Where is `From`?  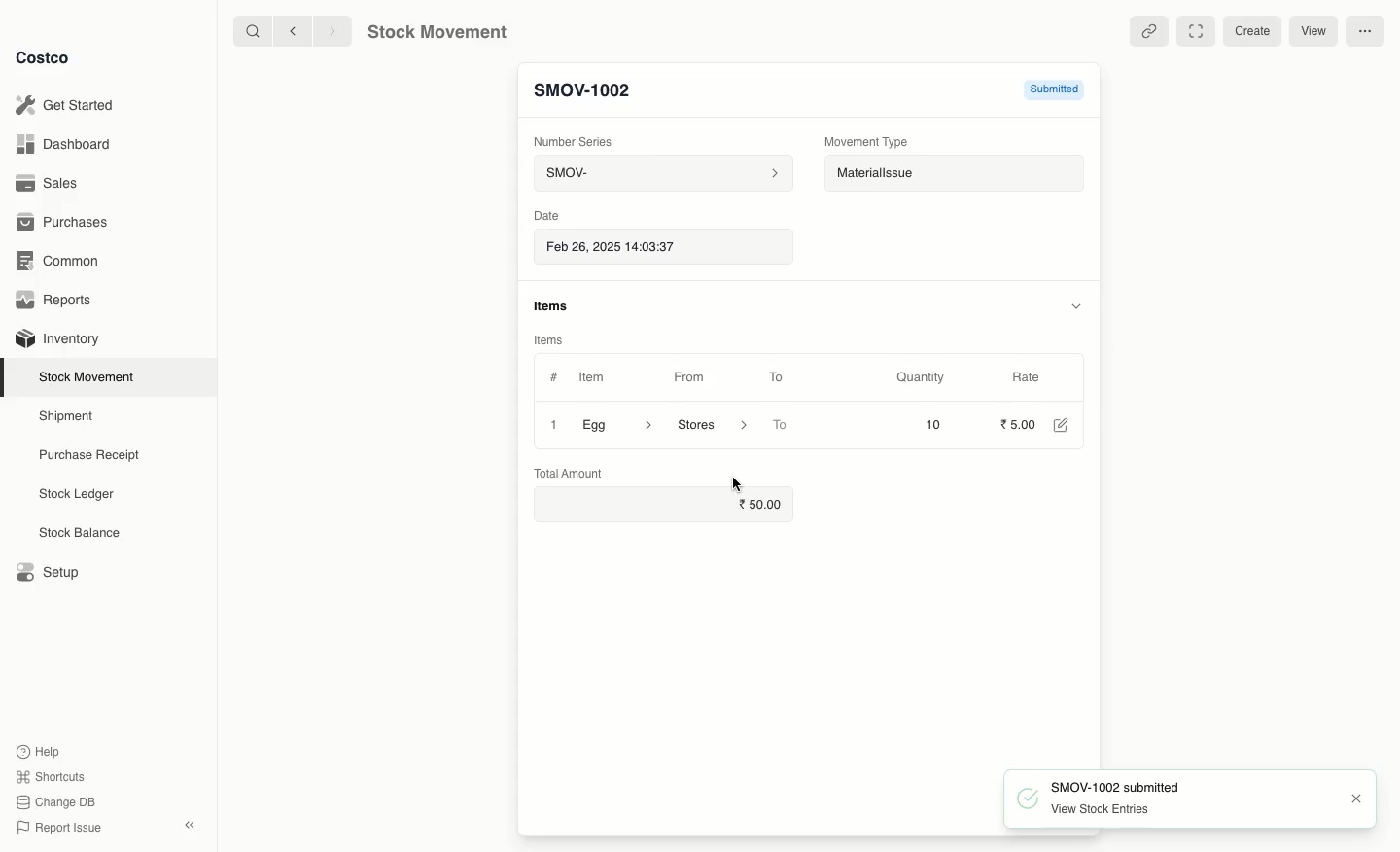 From is located at coordinates (696, 380).